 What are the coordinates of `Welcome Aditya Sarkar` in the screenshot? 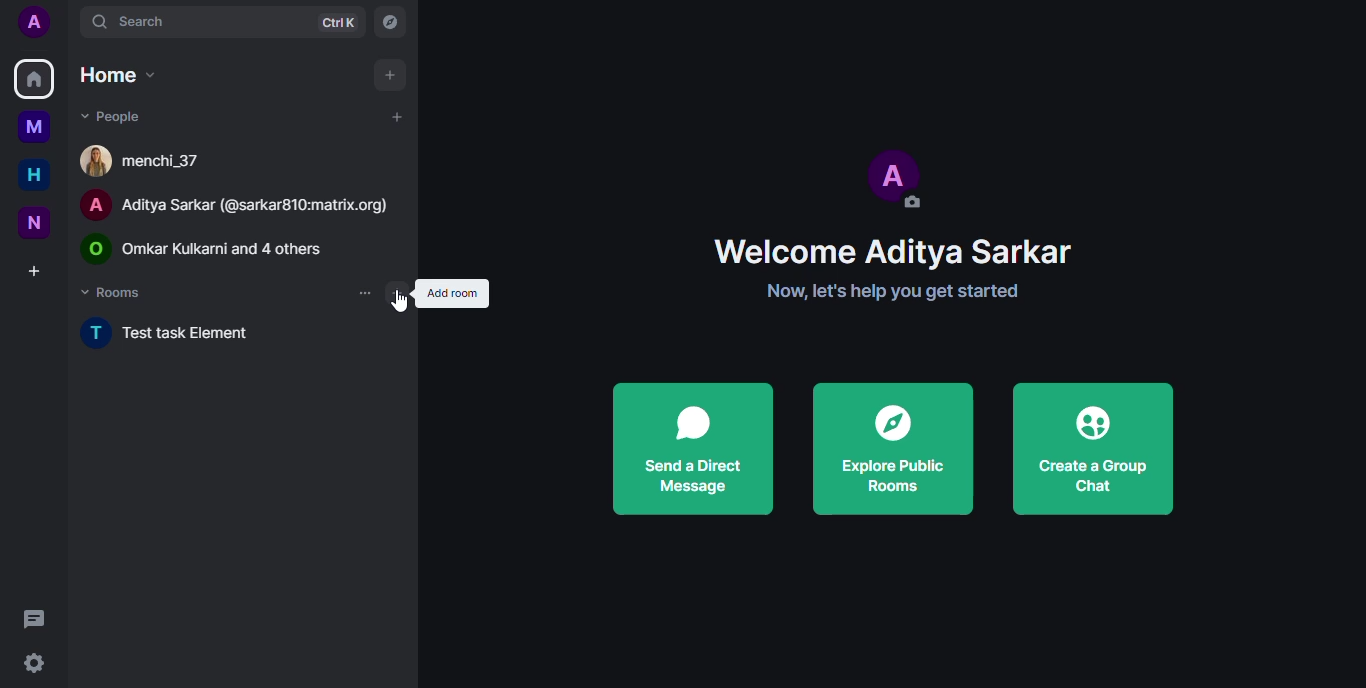 It's located at (851, 248).